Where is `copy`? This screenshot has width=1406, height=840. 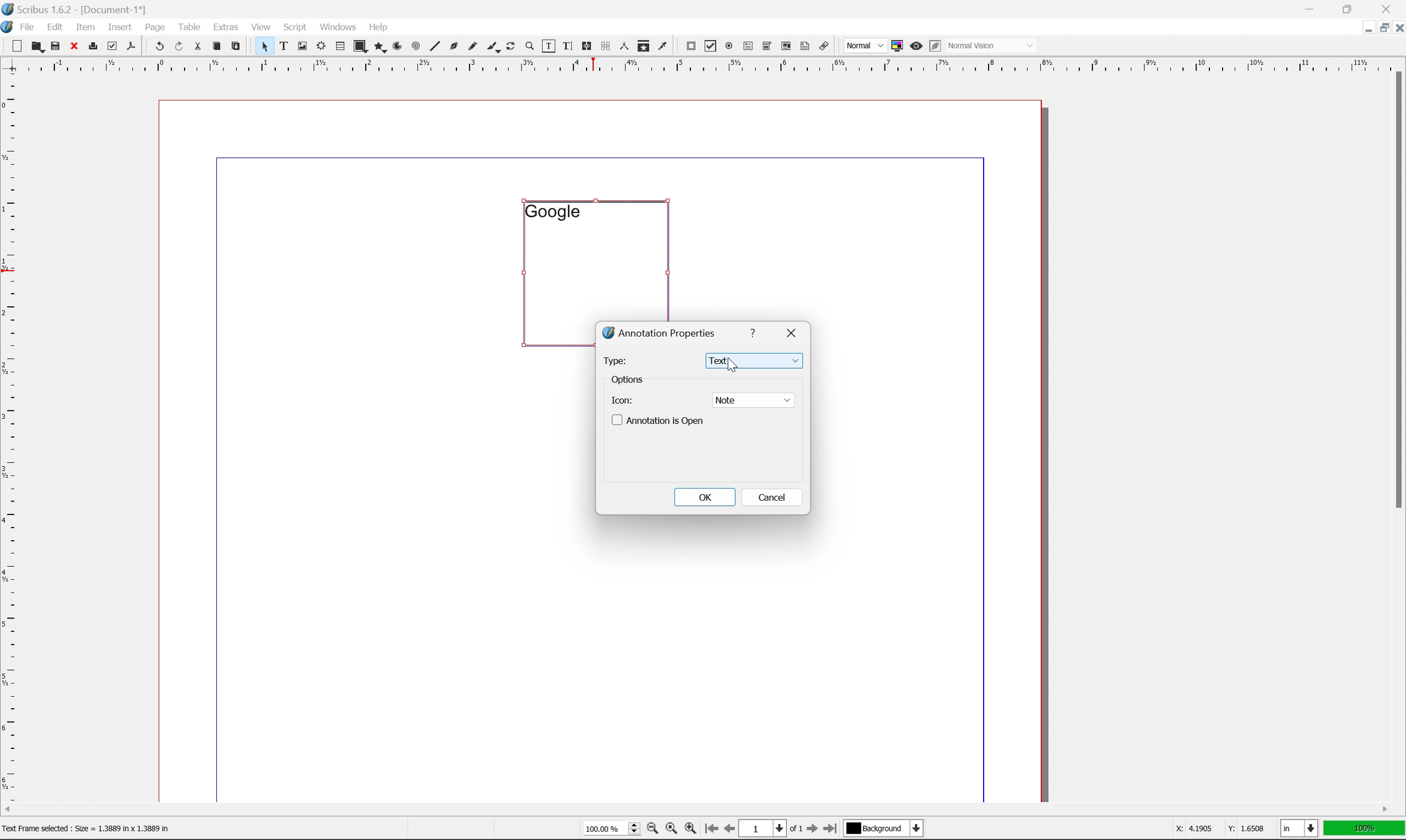
copy is located at coordinates (219, 47).